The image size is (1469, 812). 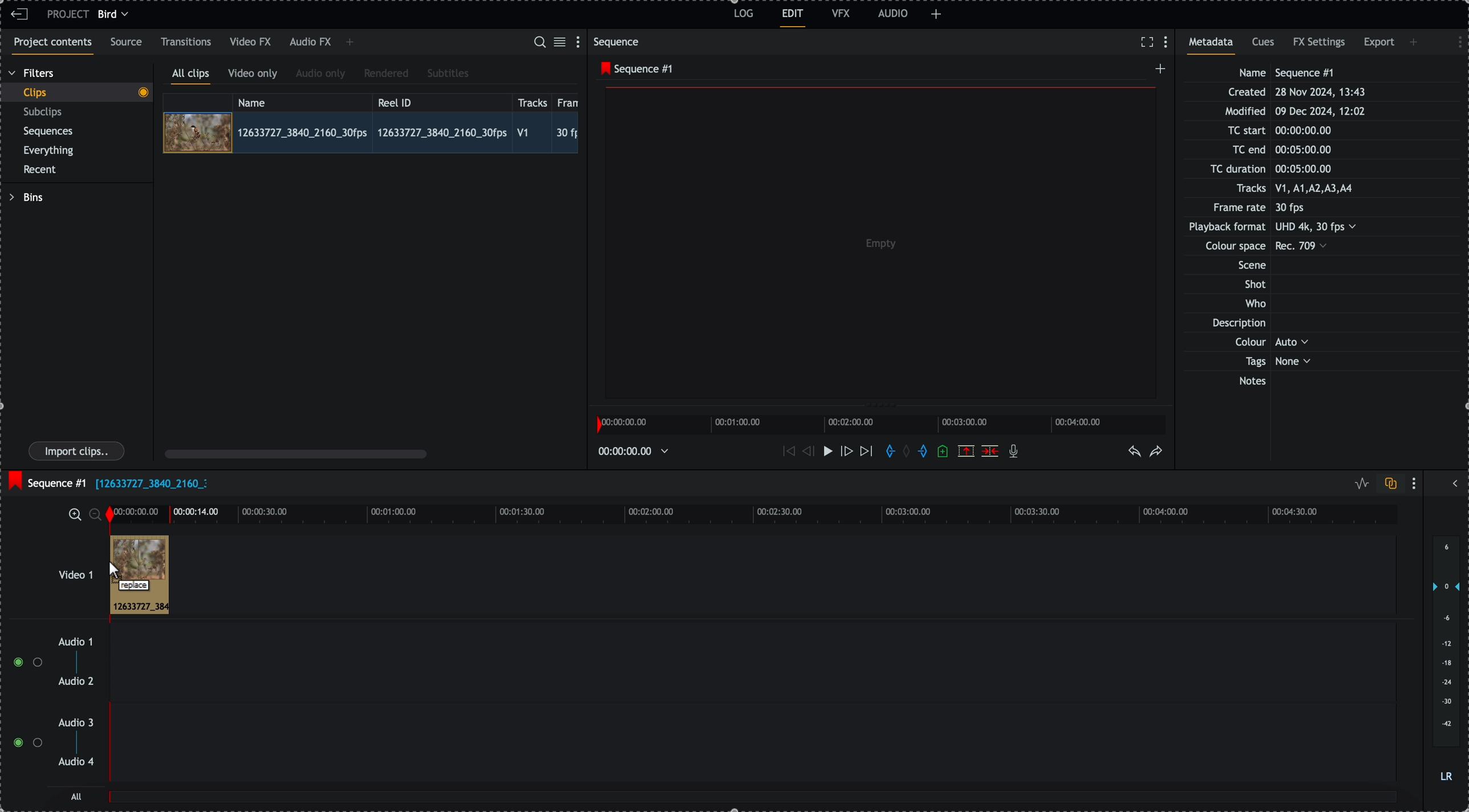 What do you see at coordinates (441, 100) in the screenshot?
I see `reel ID` at bounding box center [441, 100].